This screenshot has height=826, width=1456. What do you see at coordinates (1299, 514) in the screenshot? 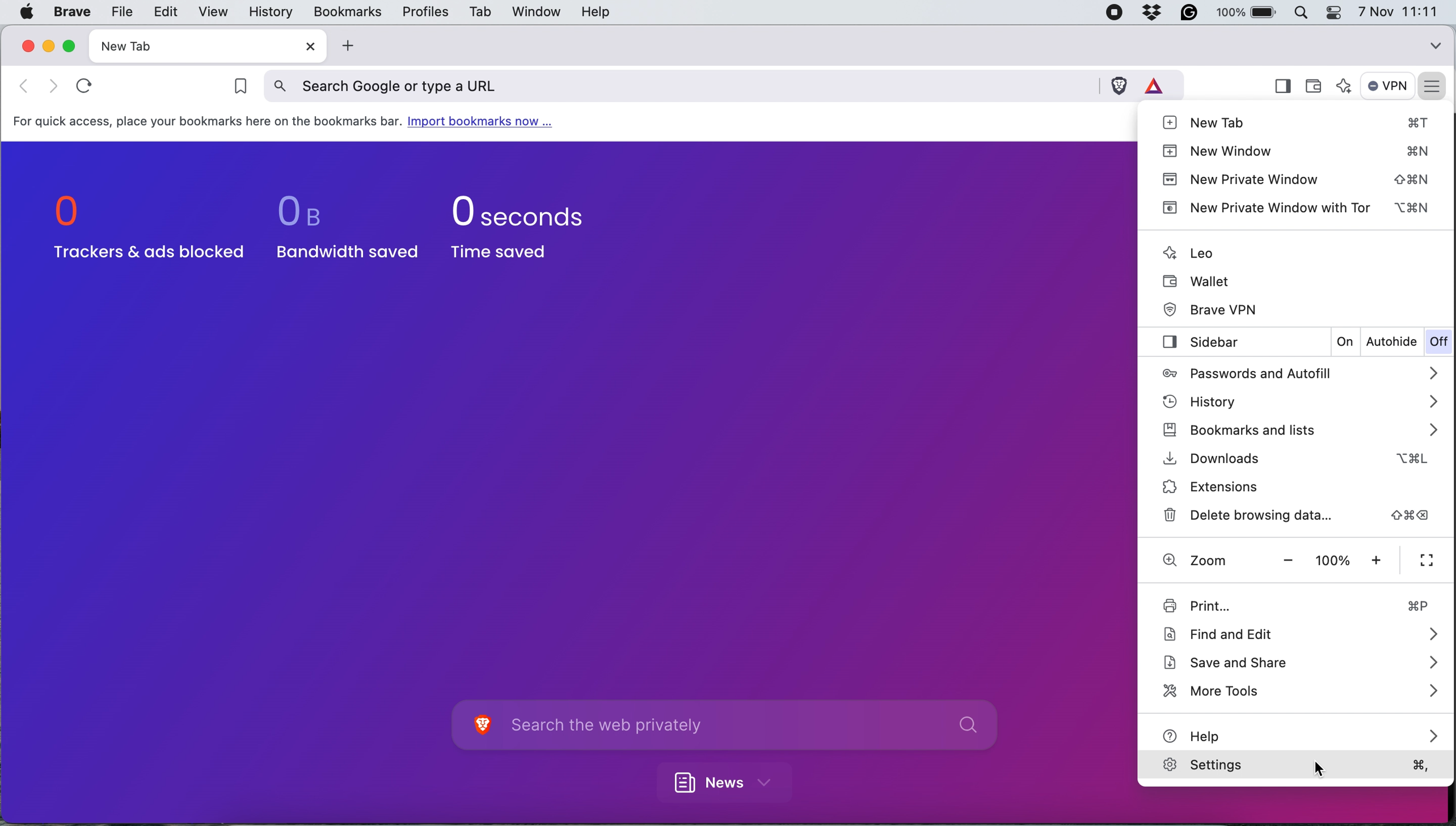
I see `delete browsing data` at bounding box center [1299, 514].